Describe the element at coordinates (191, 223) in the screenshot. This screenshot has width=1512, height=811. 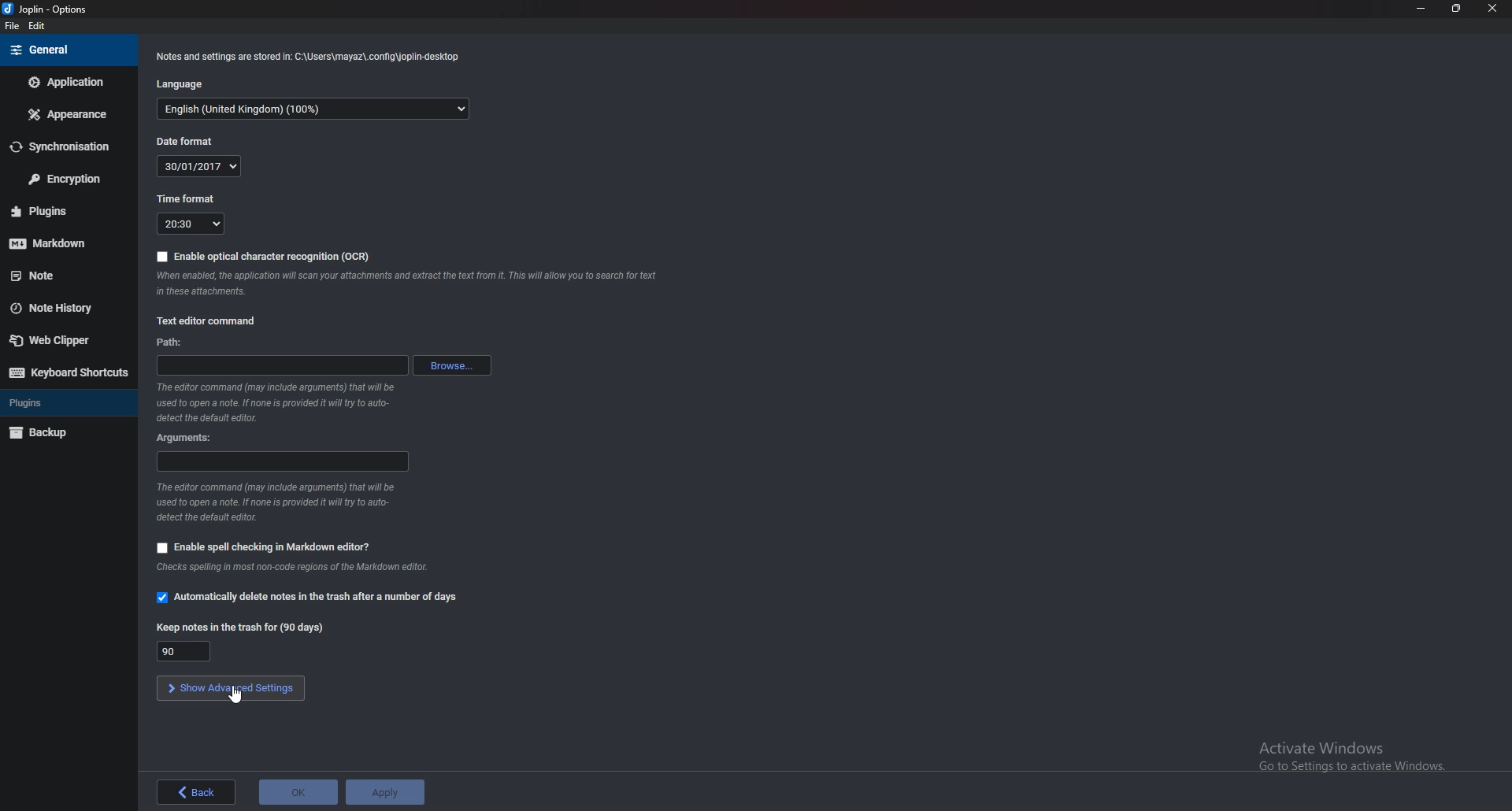
I see `20:30` at that location.